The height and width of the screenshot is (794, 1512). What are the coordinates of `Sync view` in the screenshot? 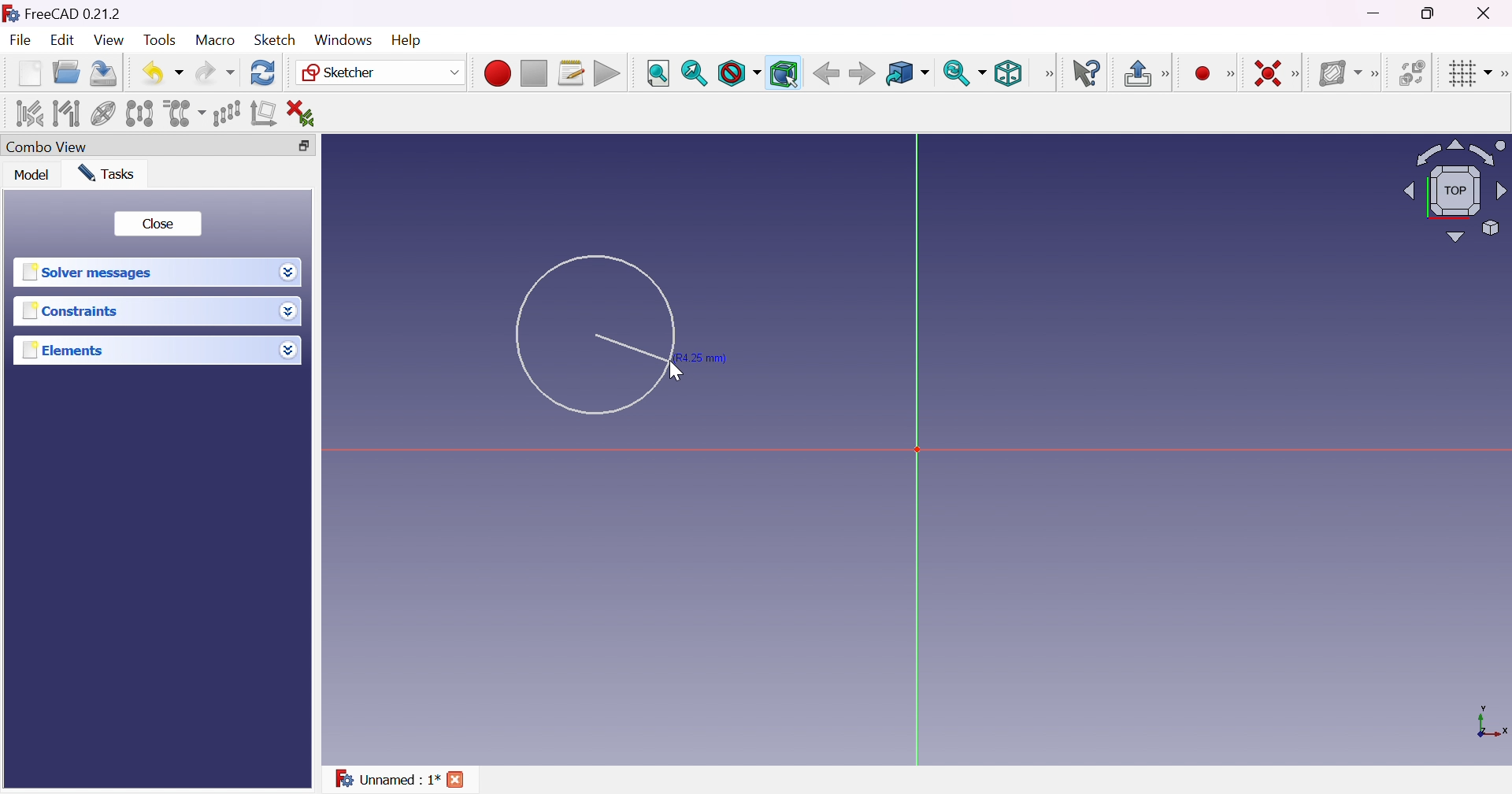 It's located at (963, 72).